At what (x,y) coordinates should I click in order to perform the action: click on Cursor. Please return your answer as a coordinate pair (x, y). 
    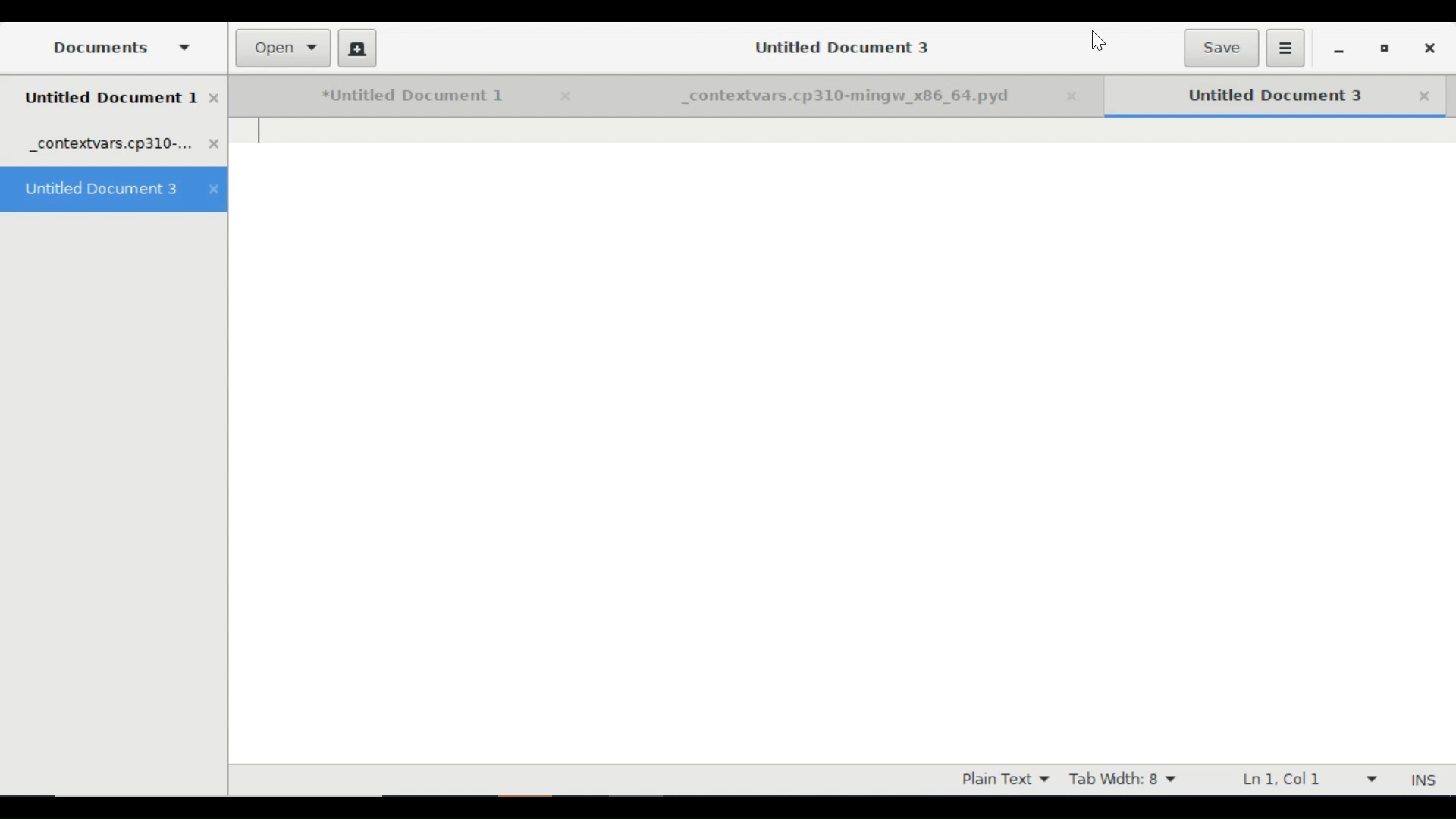
    Looking at the image, I should click on (1098, 42).